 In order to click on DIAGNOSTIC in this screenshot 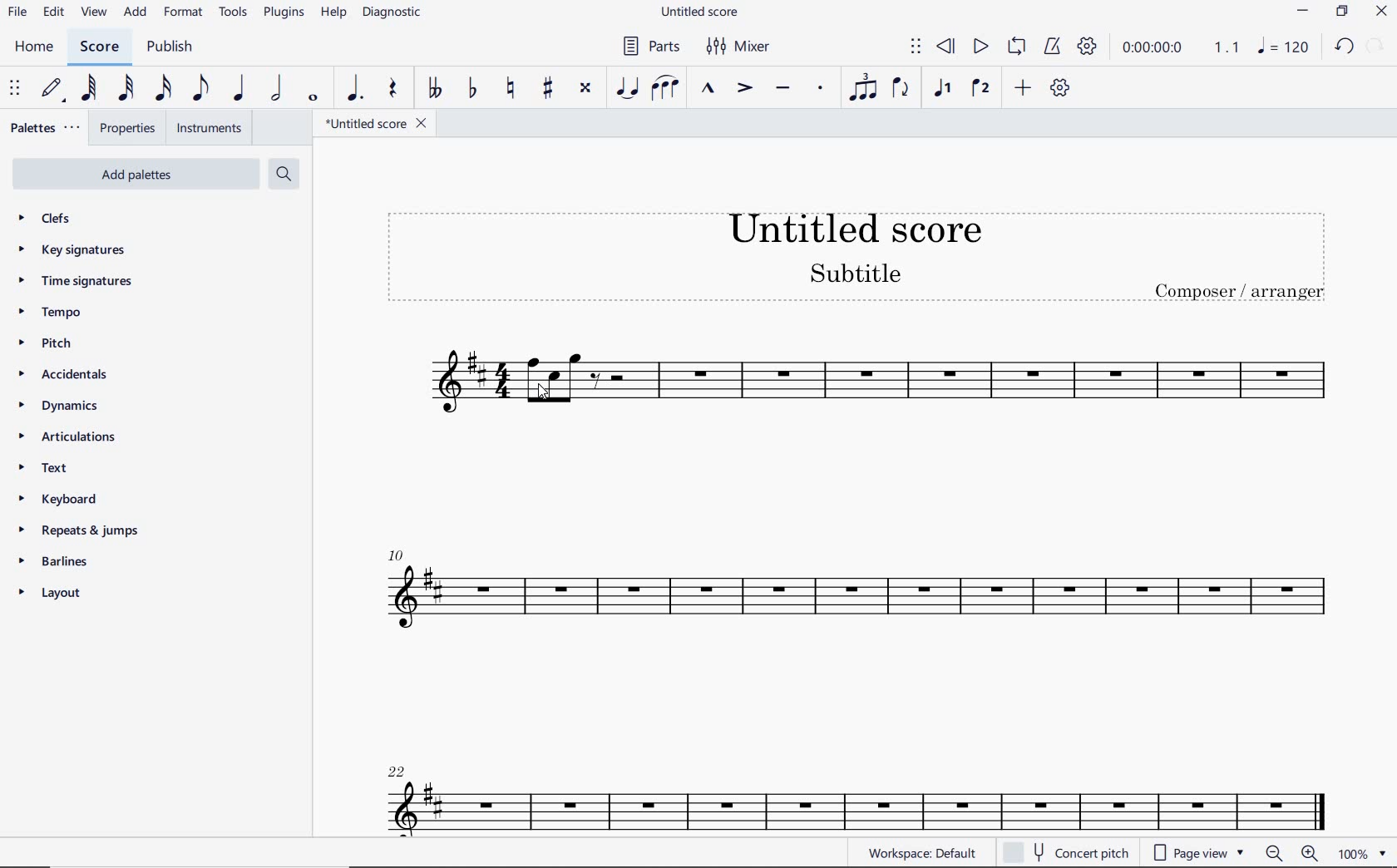, I will do `click(394, 14)`.